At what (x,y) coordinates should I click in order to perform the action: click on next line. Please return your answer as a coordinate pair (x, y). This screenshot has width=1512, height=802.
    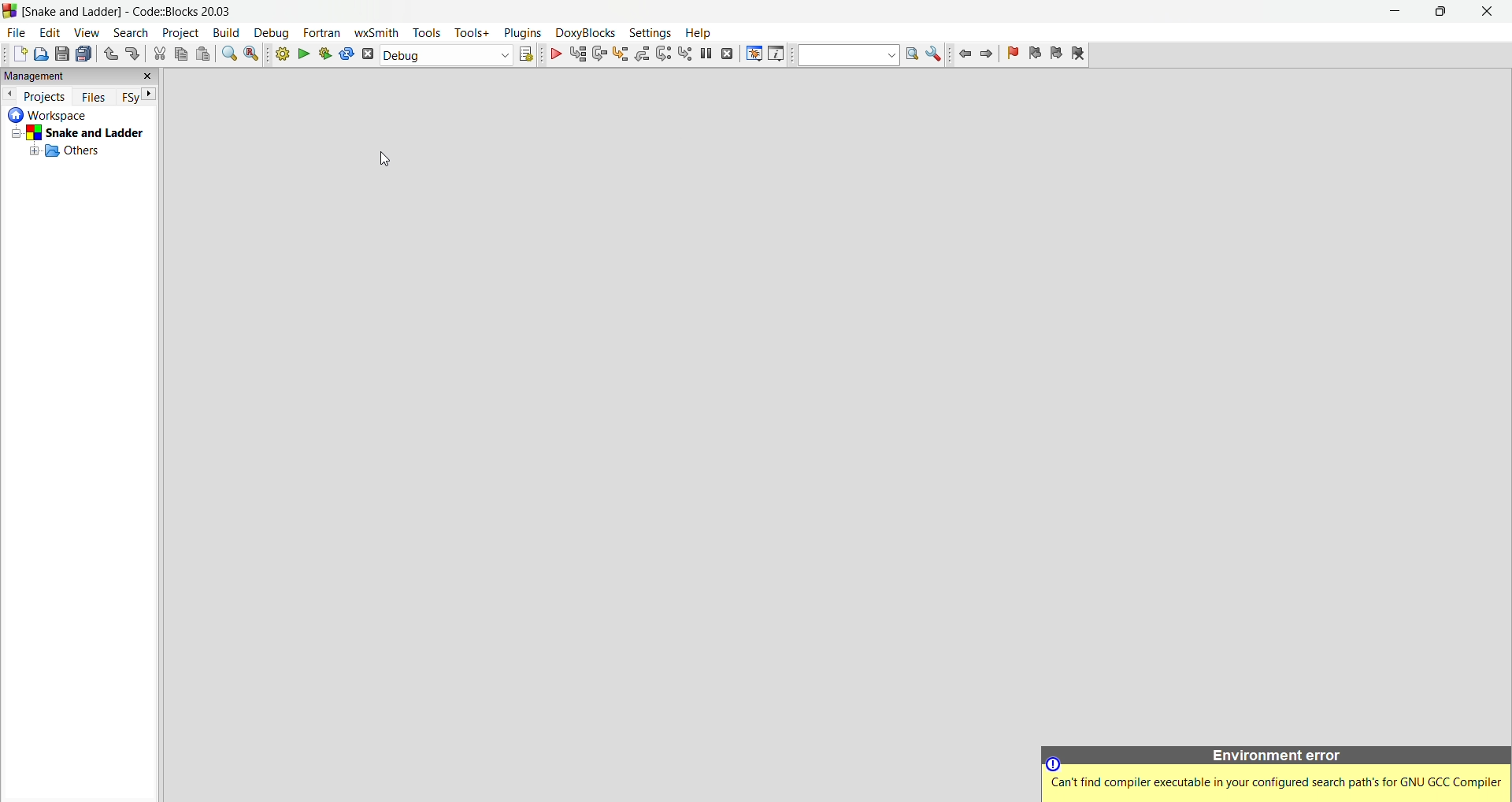
    Looking at the image, I should click on (600, 55).